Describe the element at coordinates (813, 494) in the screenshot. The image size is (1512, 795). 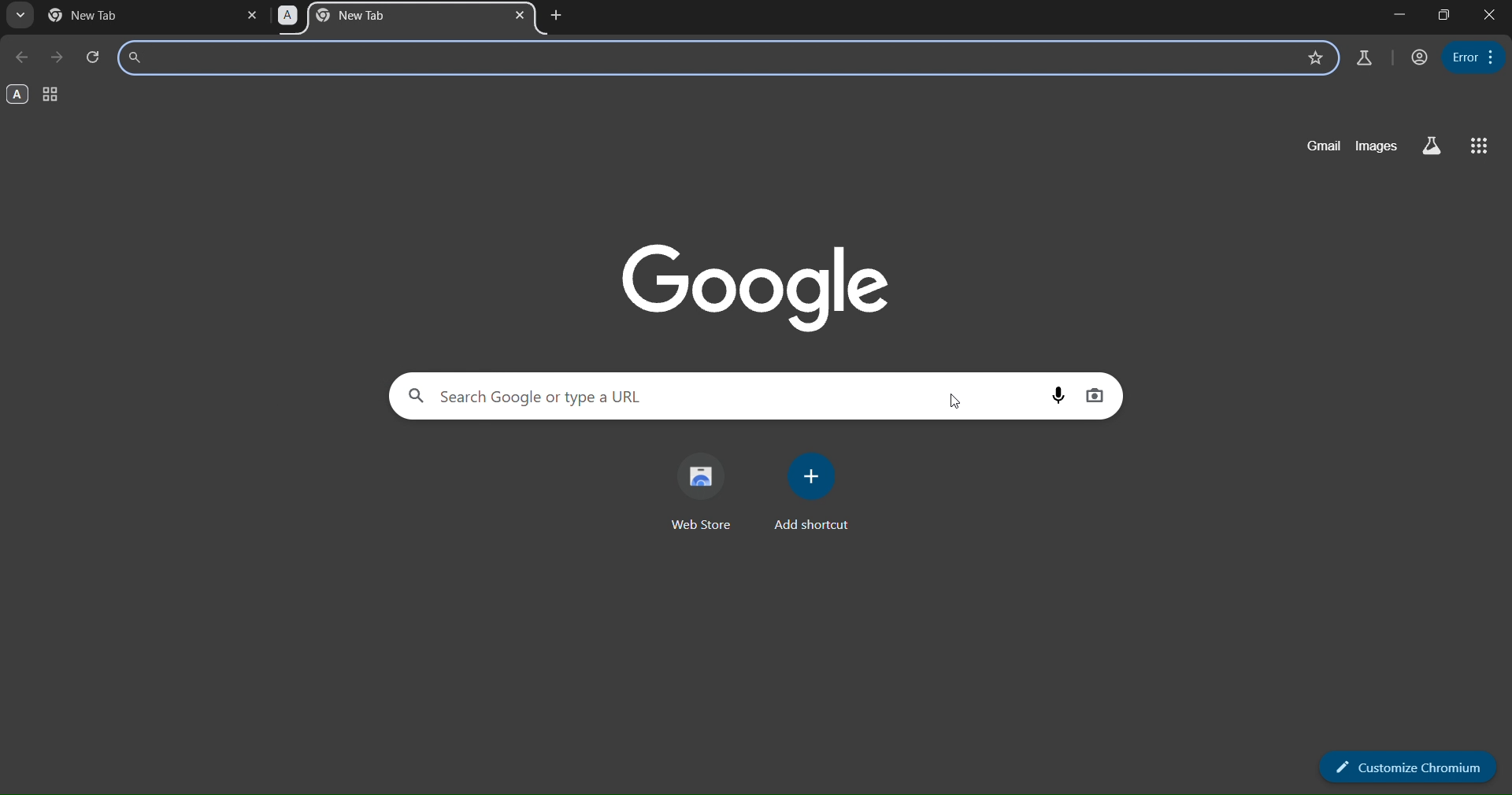
I see `add shortcut` at that location.